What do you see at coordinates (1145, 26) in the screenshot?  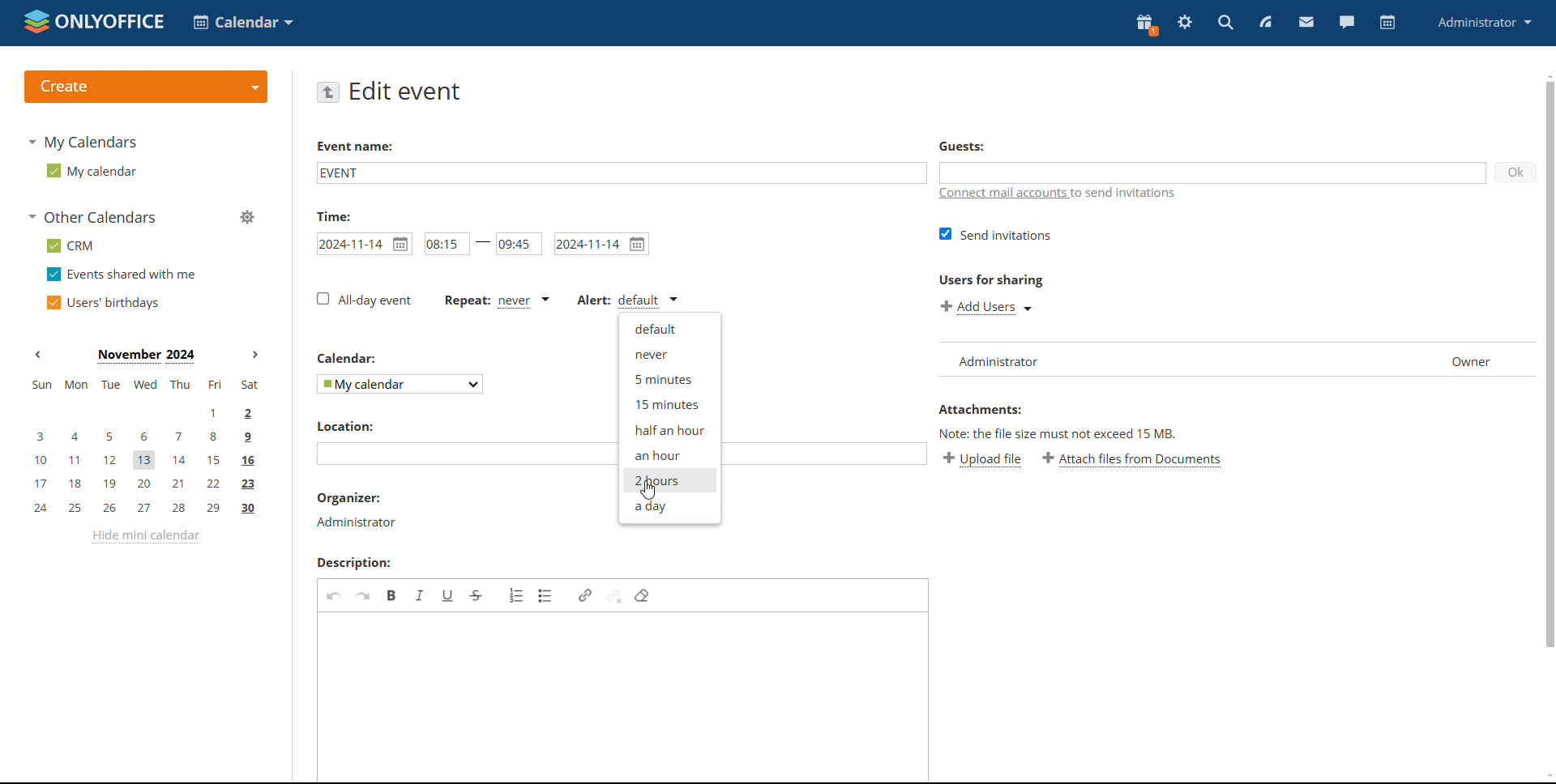 I see `present` at bounding box center [1145, 26].